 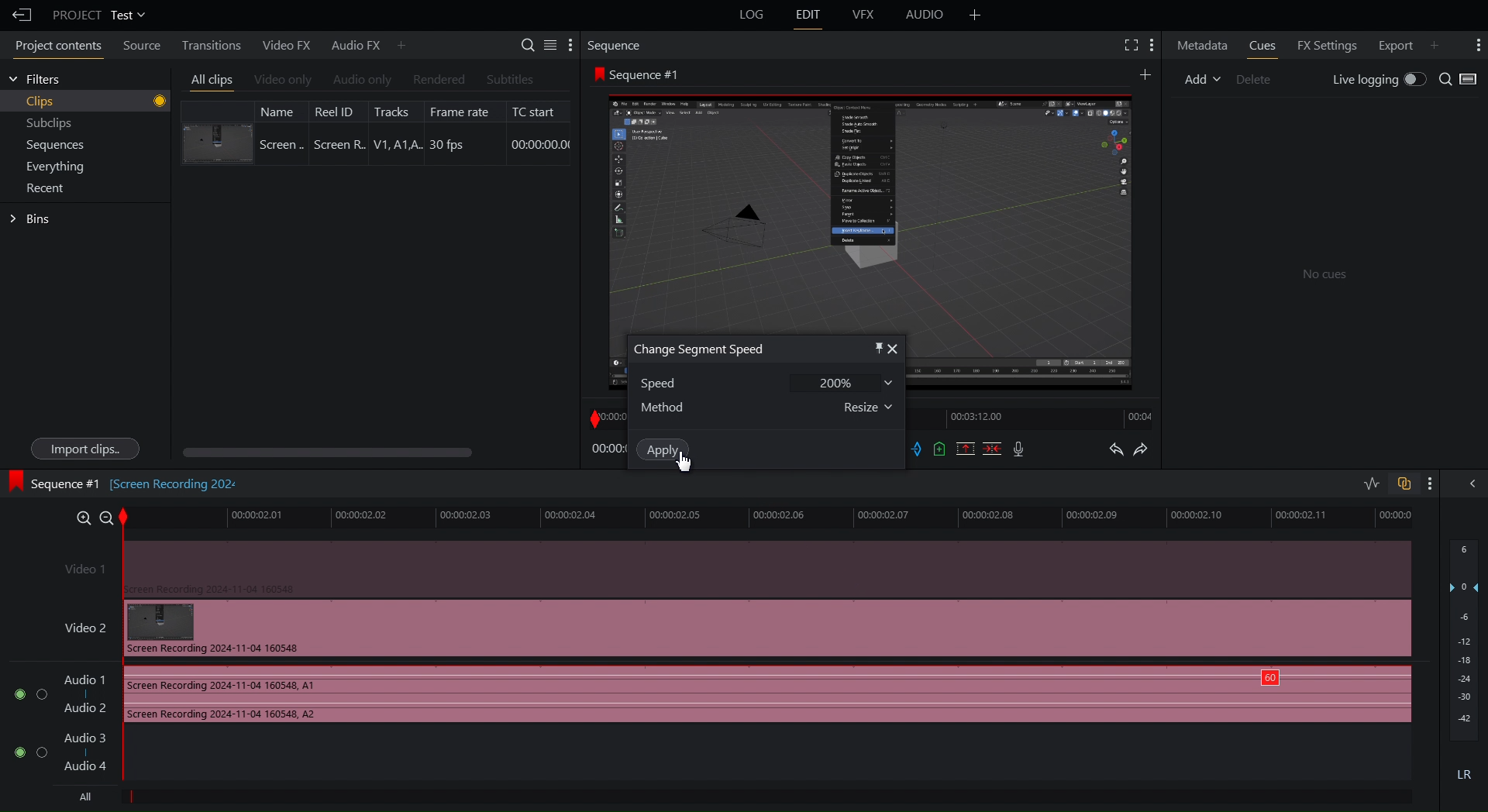 I want to click on Audio FX, so click(x=350, y=45).